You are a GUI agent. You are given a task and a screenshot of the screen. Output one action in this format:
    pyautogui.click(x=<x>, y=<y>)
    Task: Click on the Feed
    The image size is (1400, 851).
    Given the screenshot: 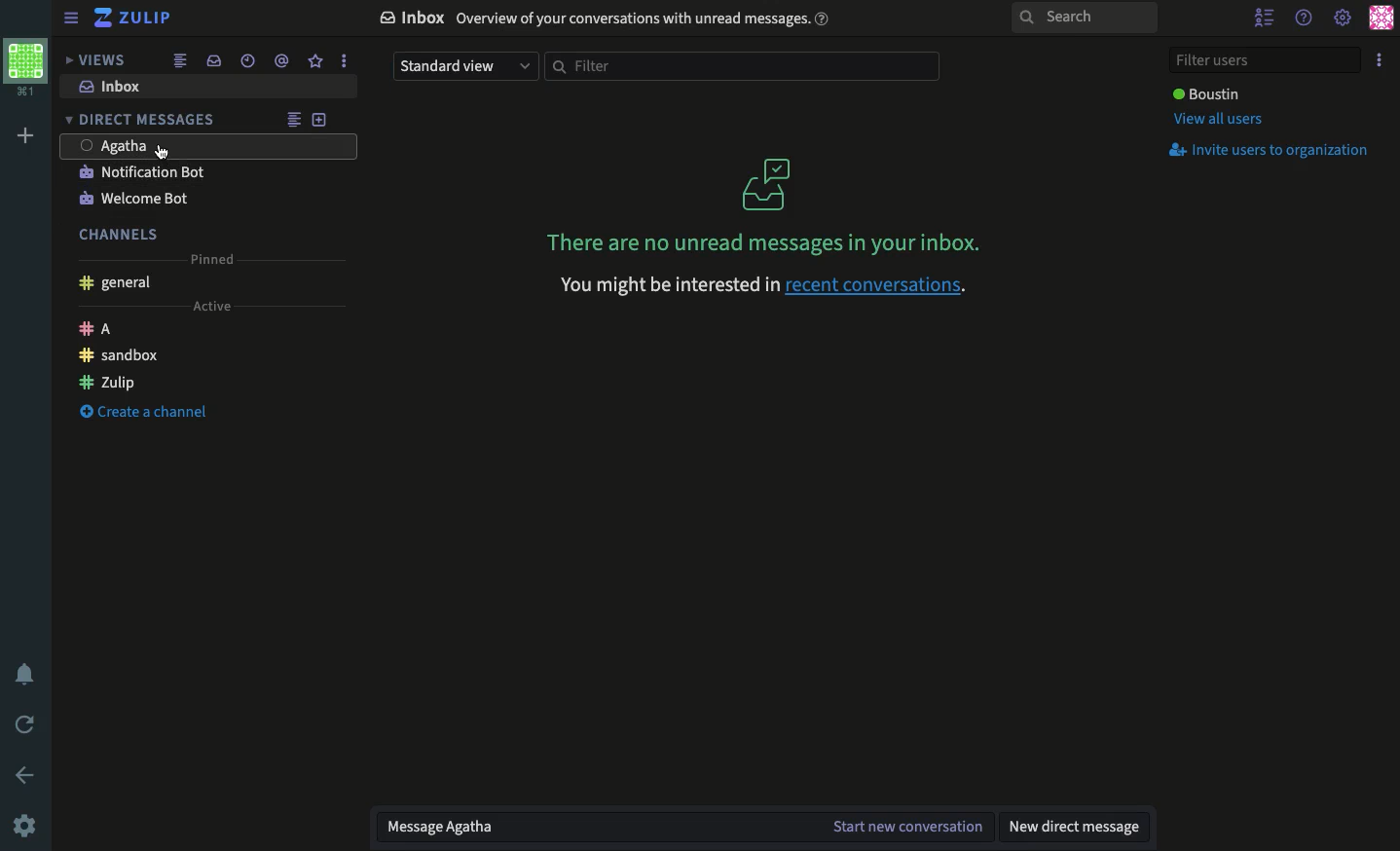 What is the action you would take?
    pyautogui.click(x=182, y=61)
    